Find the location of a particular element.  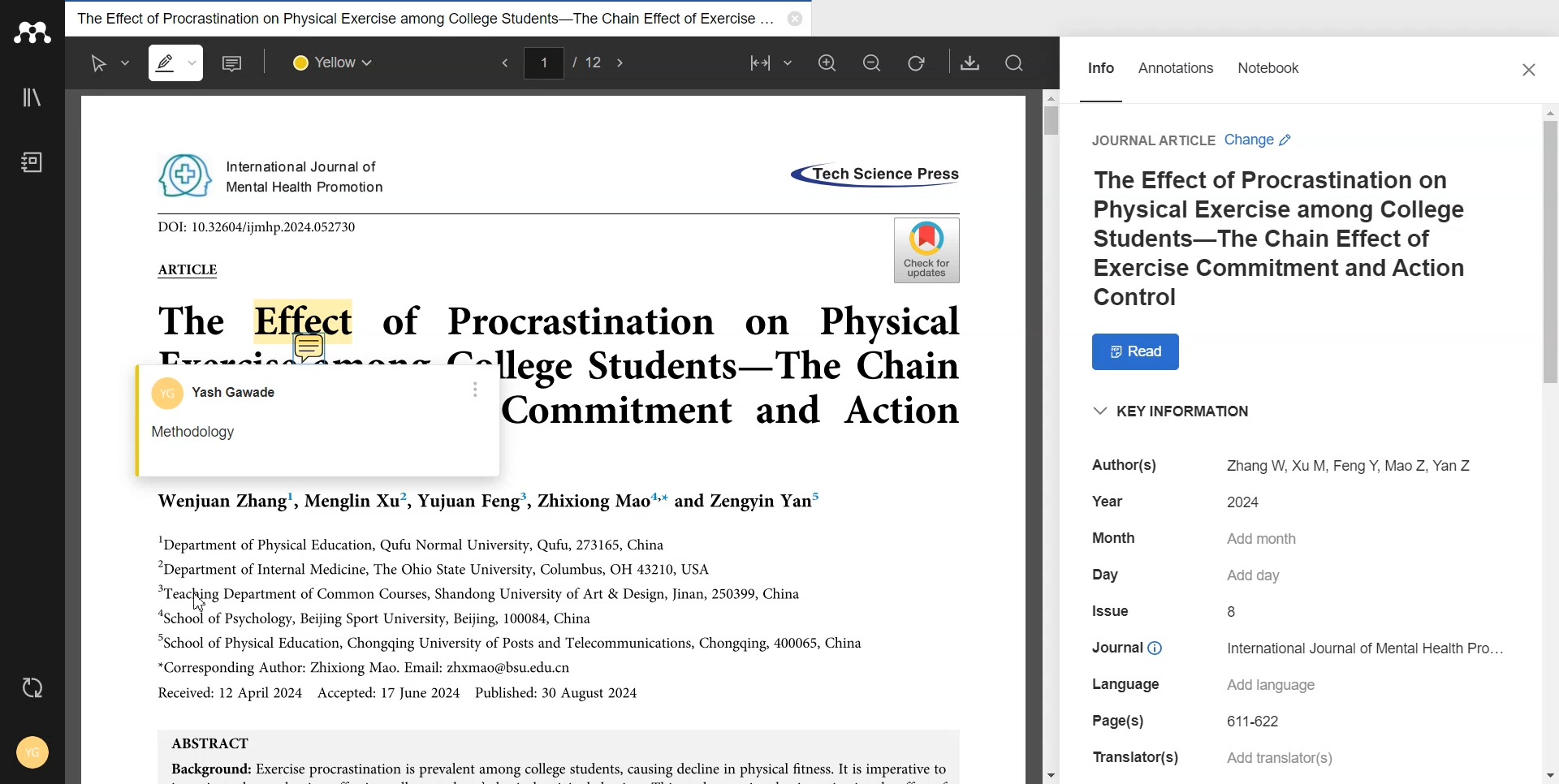

Read is located at coordinates (1145, 351).